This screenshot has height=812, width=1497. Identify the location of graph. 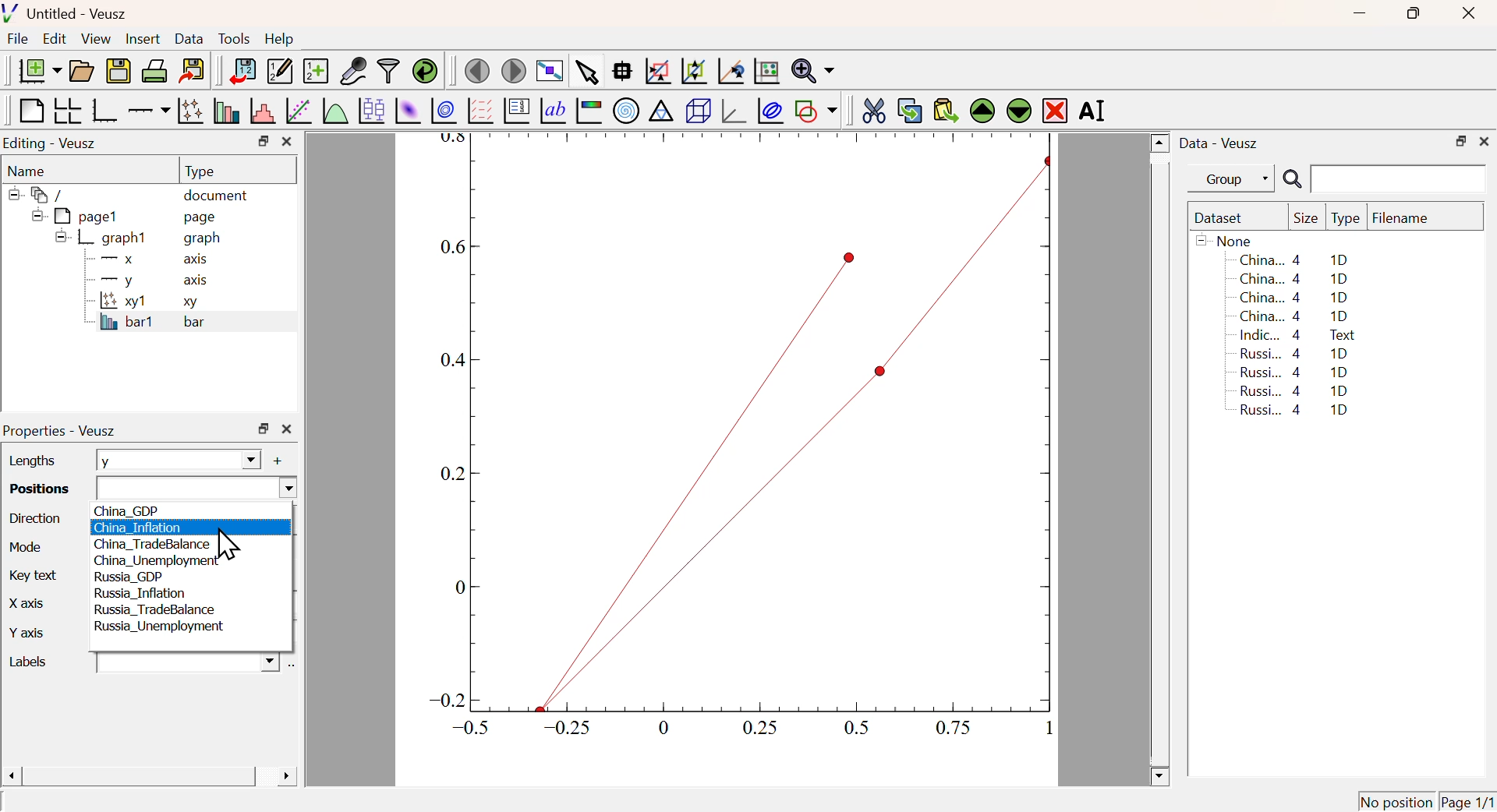
(204, 239).